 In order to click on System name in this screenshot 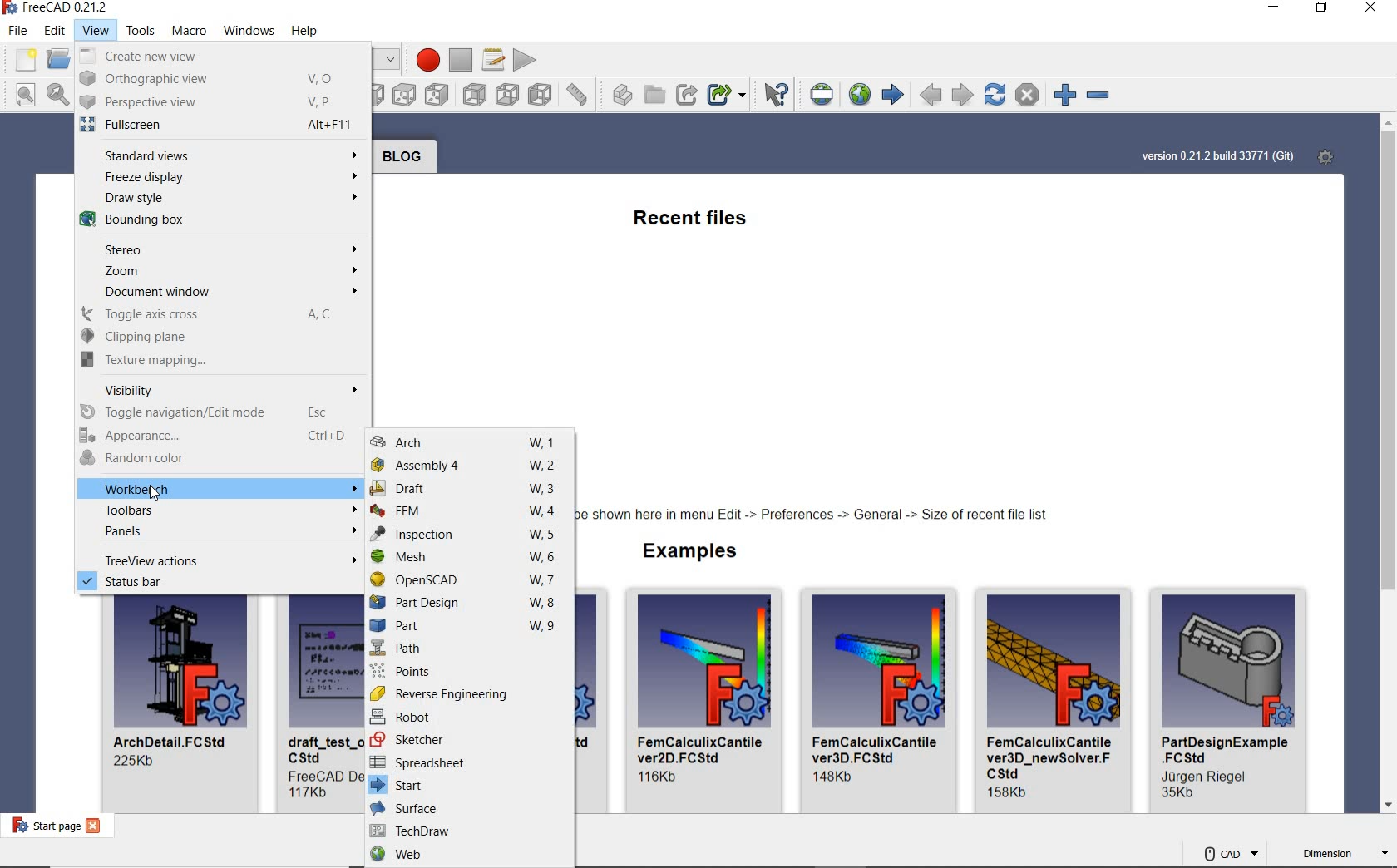, I will do `click(56, 10)`.